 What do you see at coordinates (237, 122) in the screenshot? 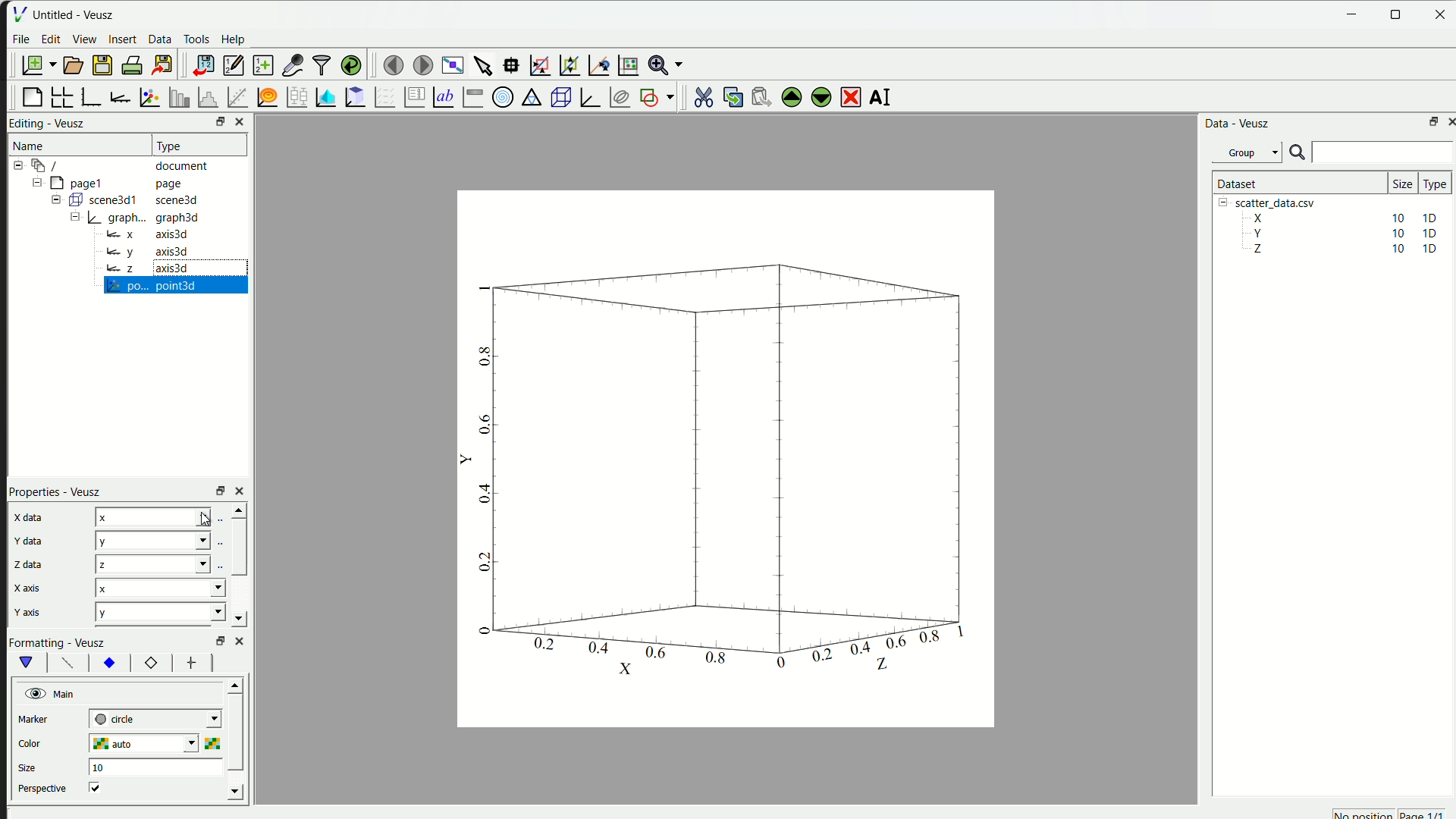
I see `close` at bounding box center [237, 122].